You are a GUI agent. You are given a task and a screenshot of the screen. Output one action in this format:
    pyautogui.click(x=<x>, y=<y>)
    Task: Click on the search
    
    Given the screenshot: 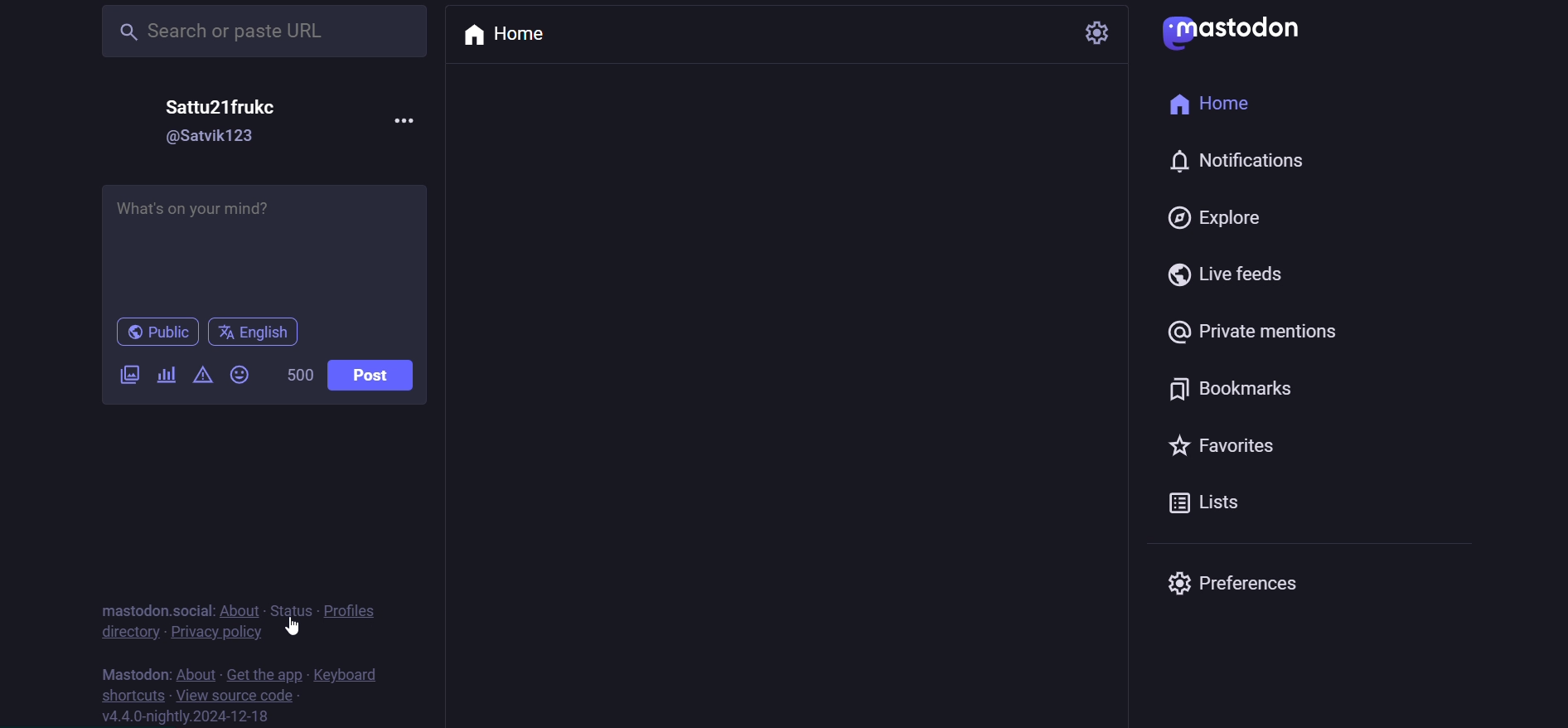 What is the action you would take?
    pyautogui.click(x=259, y=32)
    